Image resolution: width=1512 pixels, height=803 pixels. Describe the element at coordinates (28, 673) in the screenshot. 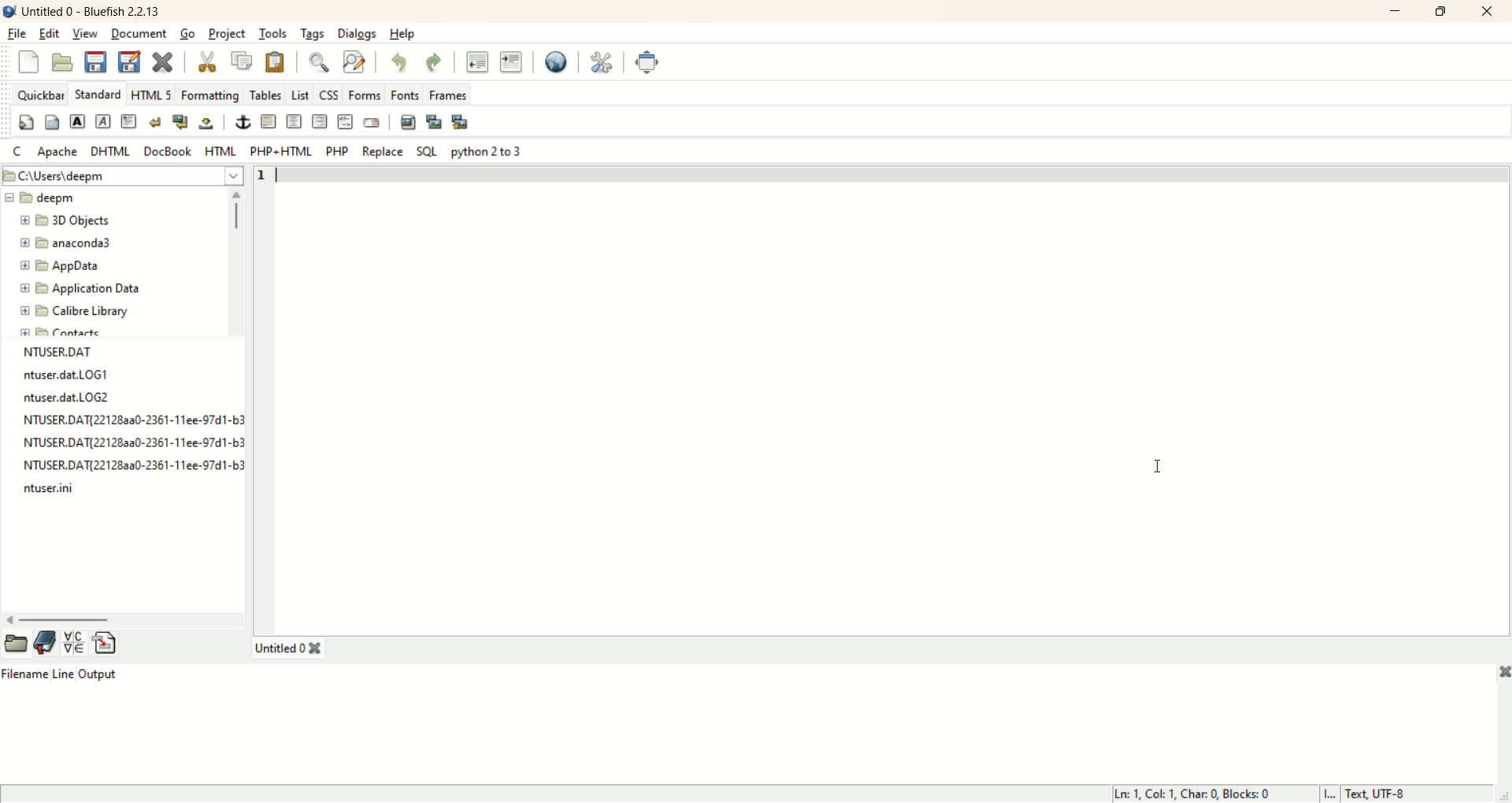

I see `filename` at that location.